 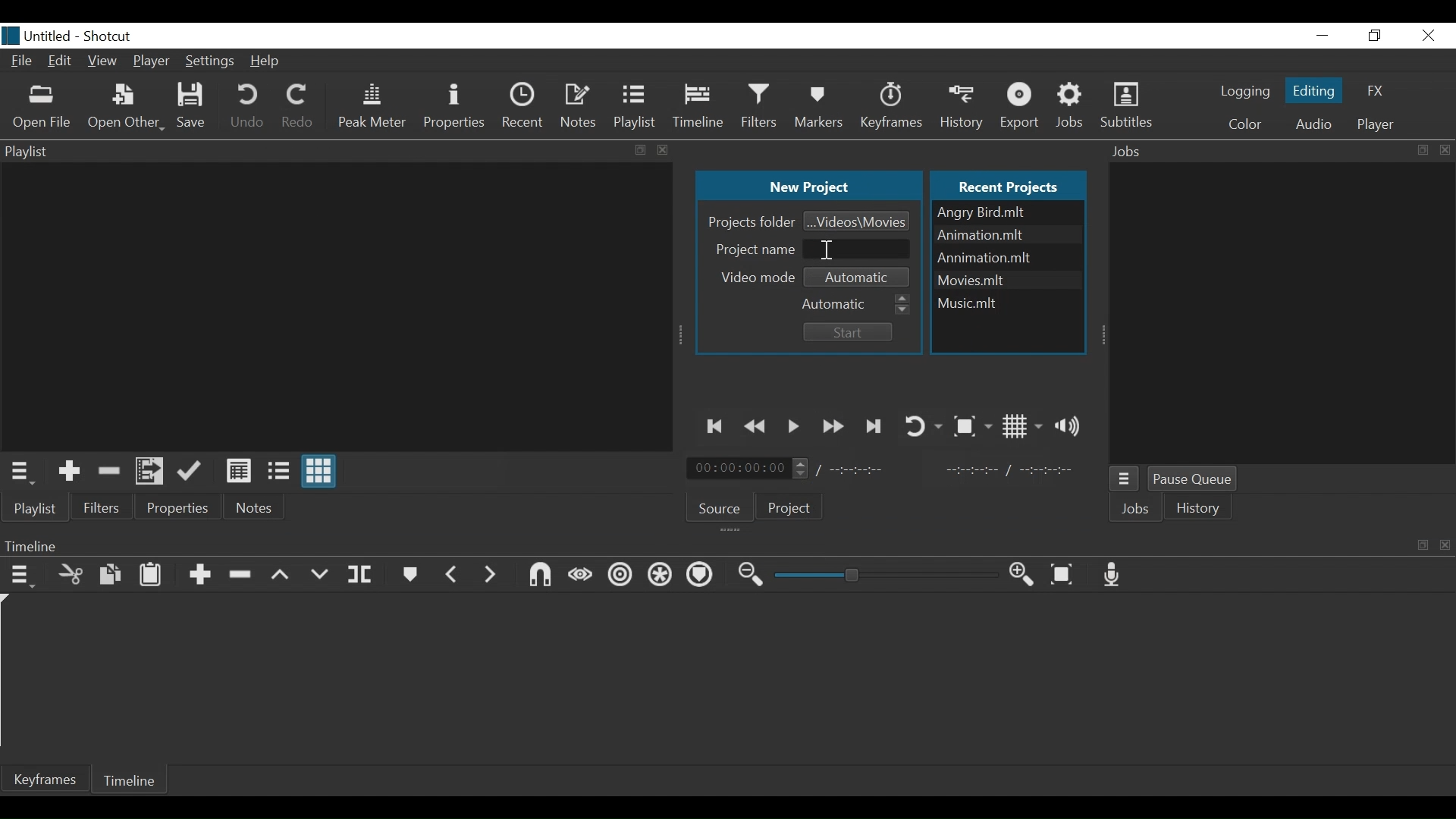 I want to click on Record audio, so click(x=1116, y=575).